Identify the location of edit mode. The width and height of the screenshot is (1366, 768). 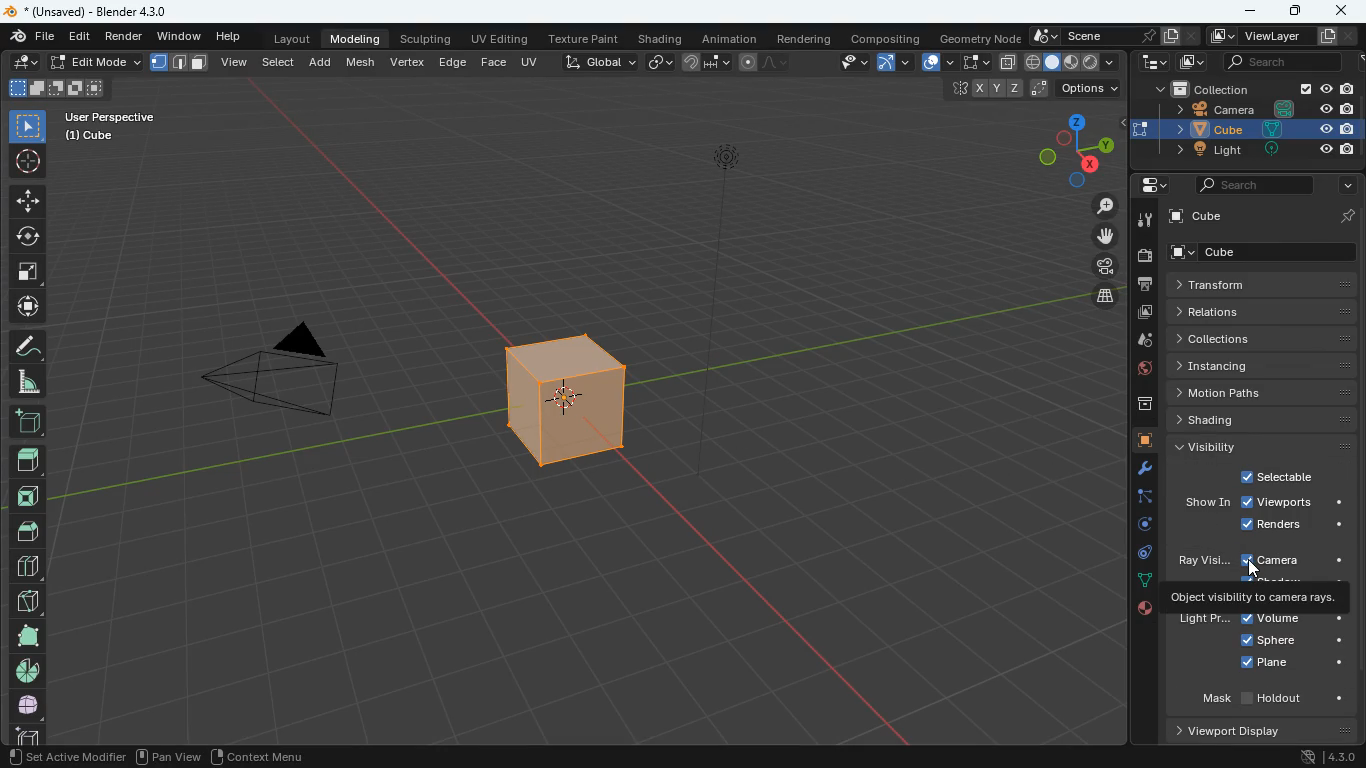
(97, 62).